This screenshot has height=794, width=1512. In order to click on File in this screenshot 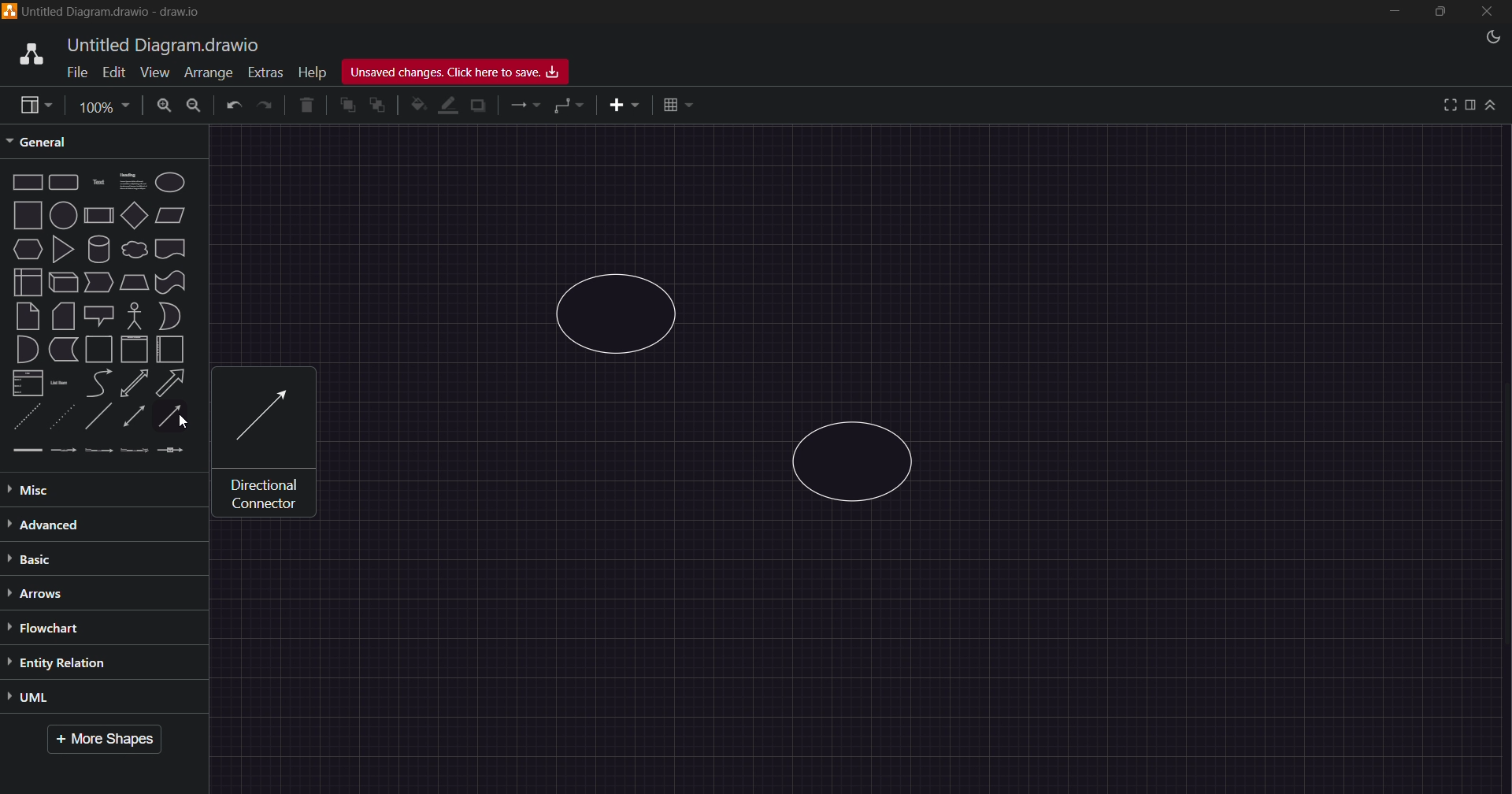, I will do `click(74, 73)`.